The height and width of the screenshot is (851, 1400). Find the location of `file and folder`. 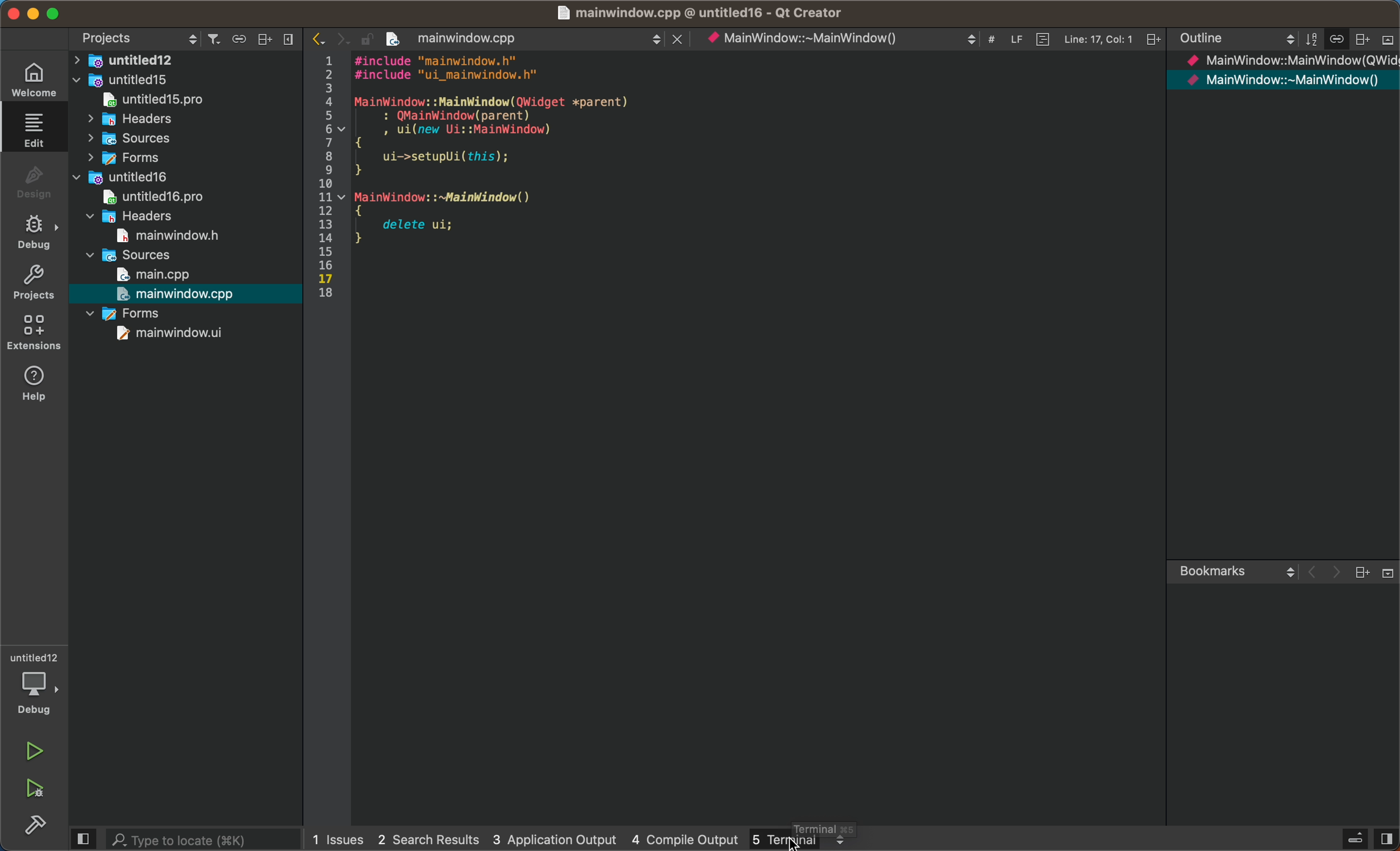

file and folder is located at coordinates (183, 139).